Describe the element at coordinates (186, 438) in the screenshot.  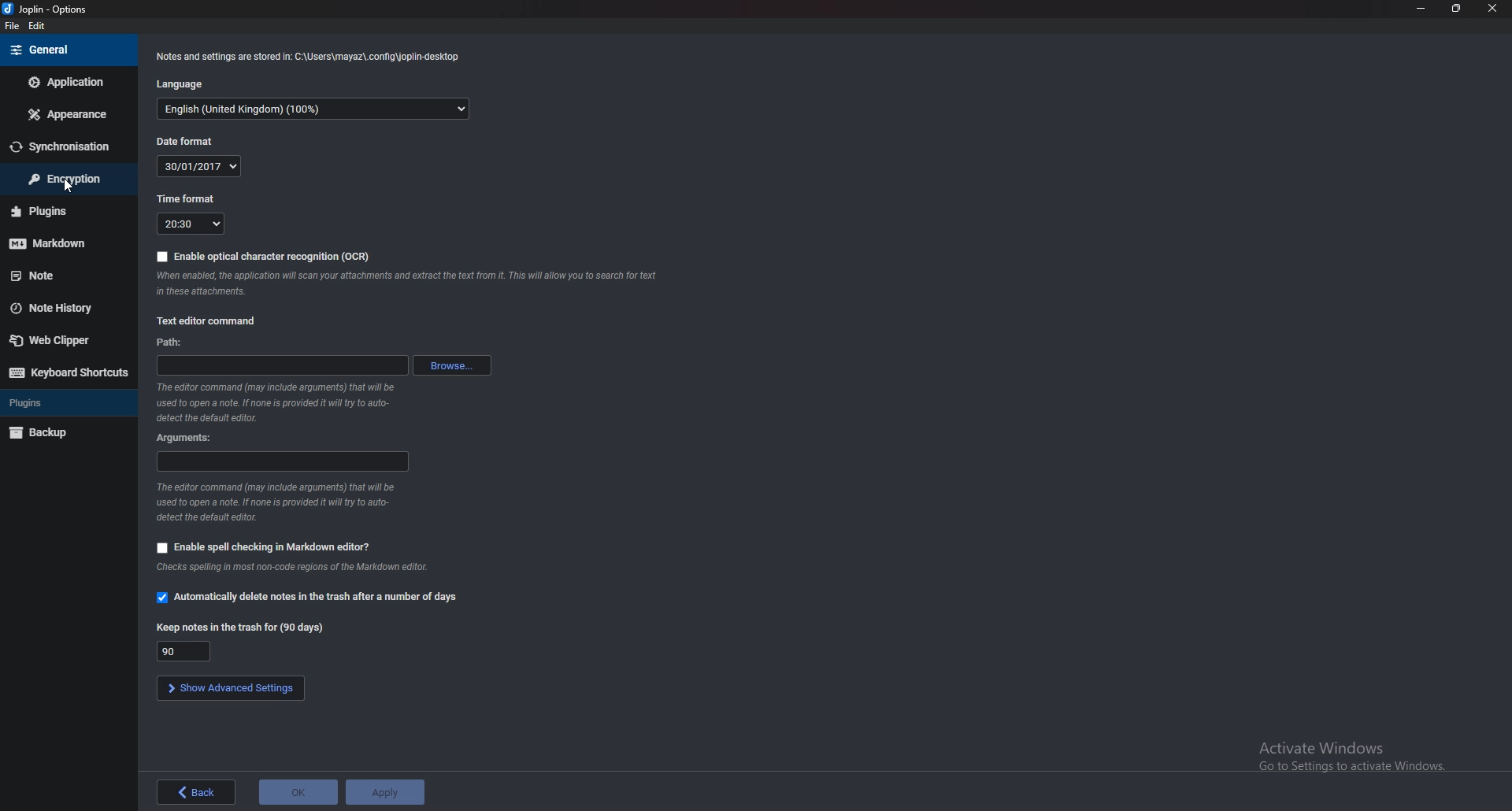
I see `arguments` at that location.